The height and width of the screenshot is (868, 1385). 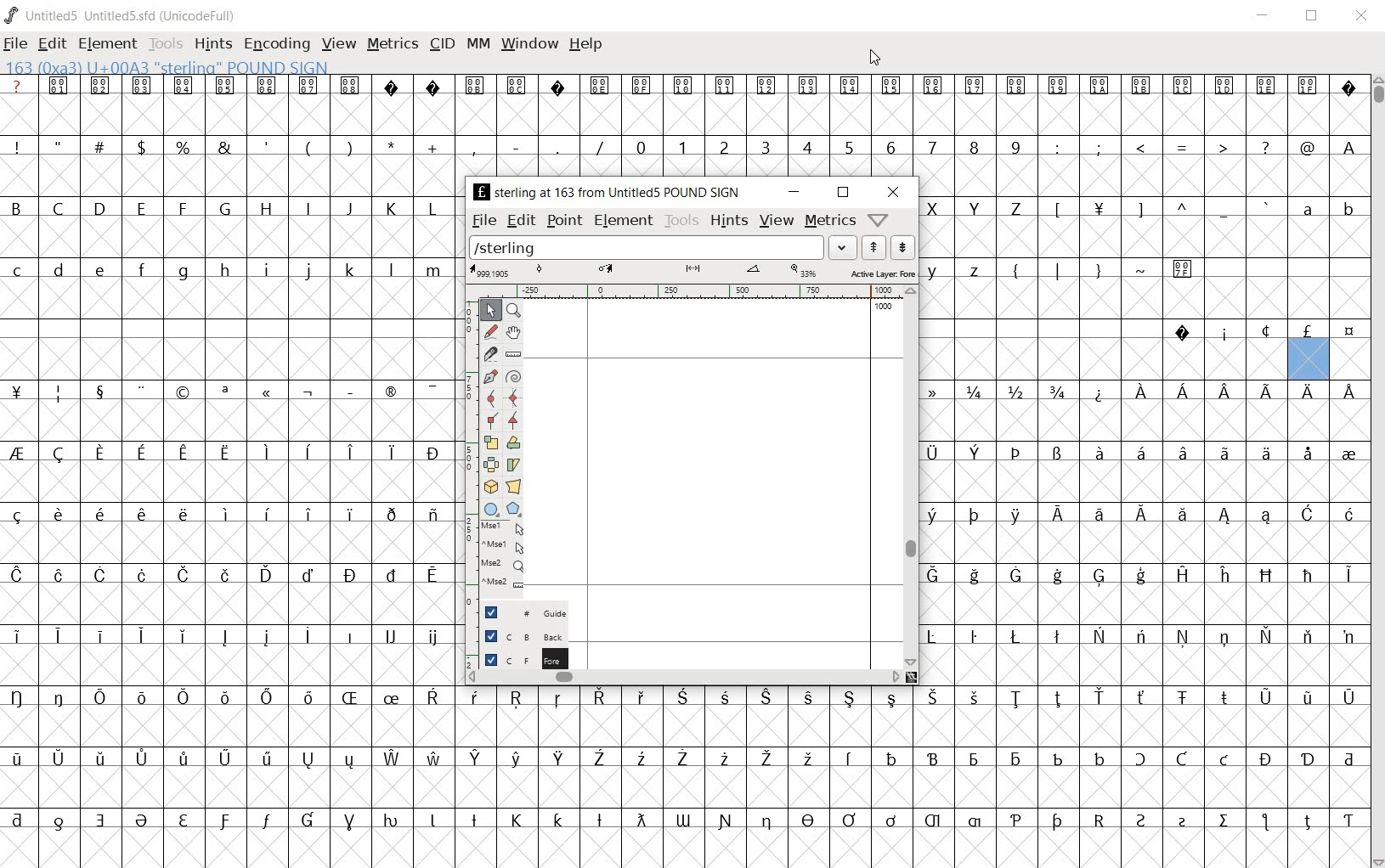 What do you see at coordinates (685, 677) in the screenshot?
I see `scrollbar` at bounding box center [685, 677].